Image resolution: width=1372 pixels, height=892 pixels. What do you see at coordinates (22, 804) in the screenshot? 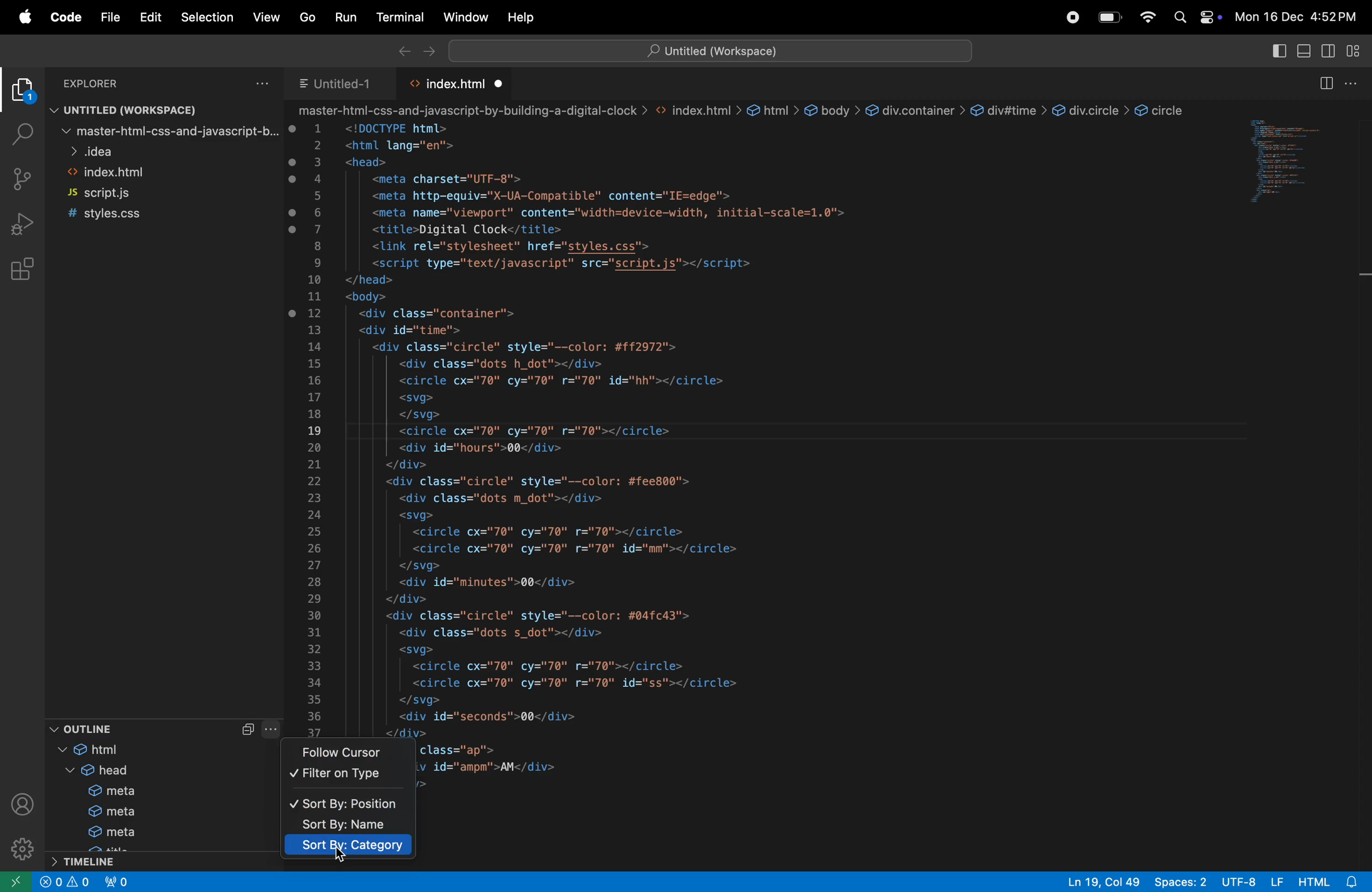
I see `profile` at bounding box center [22, 804].